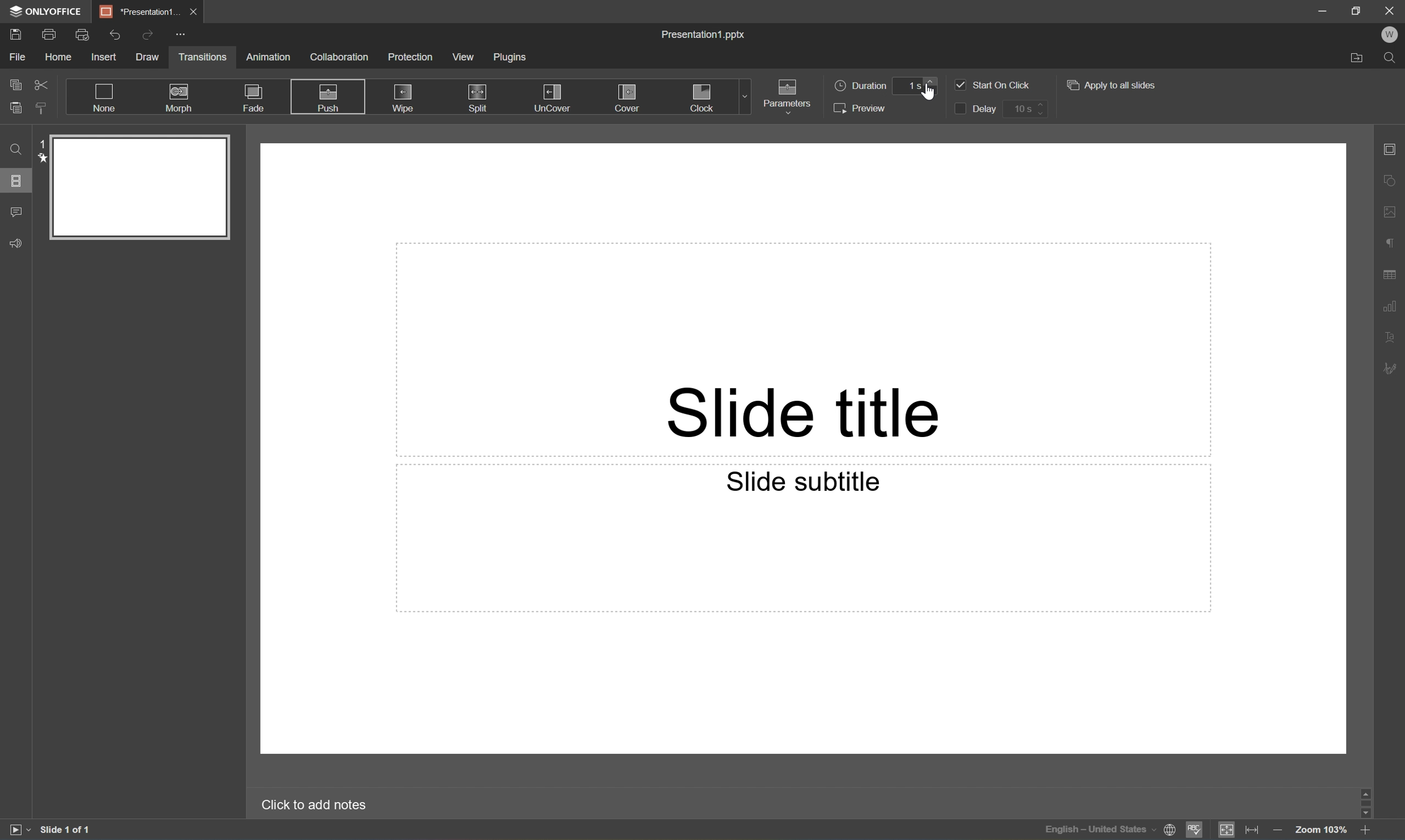 The width and height of the screenshot is (1405, 840). Describe the element at coordinates (1392, 310) in the screenshot. I see `Chart settings` at that location.